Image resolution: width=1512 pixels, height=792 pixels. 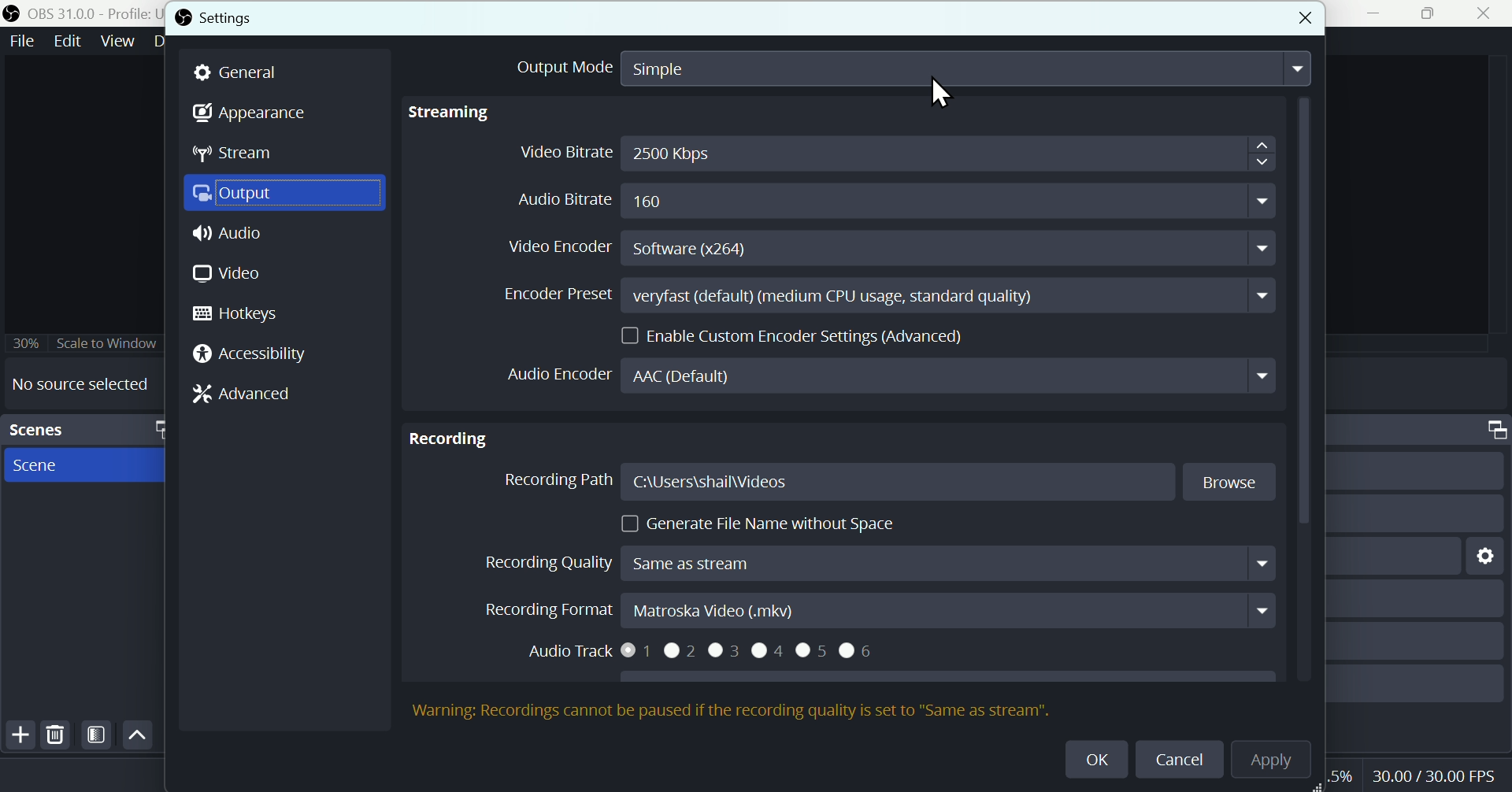 What do you see at coordinates (732, 711) in the screenshot?
I see `Warnings` at bounding box center [732, 711].